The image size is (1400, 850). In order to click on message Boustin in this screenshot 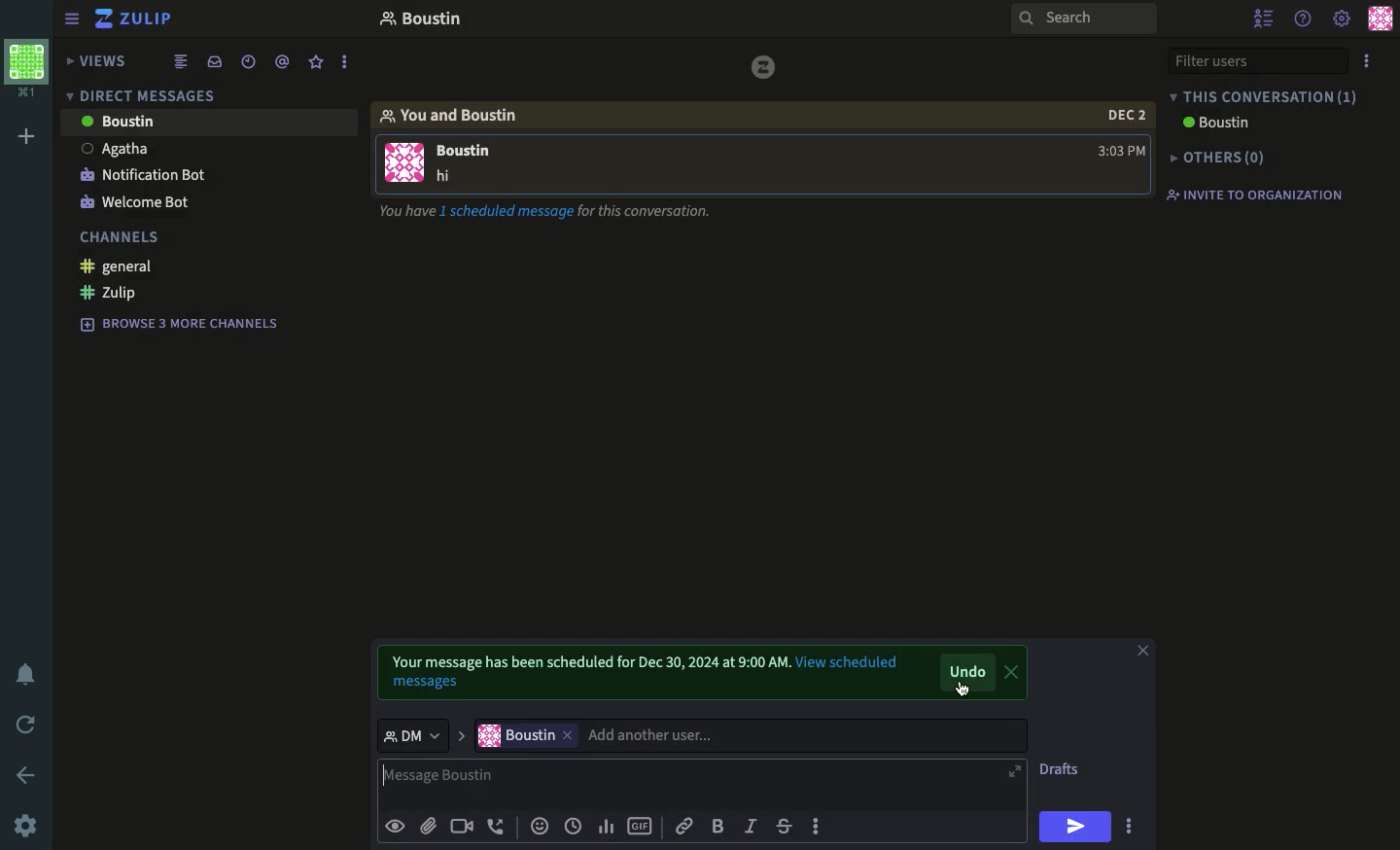, I will do `click(686, 783)`.